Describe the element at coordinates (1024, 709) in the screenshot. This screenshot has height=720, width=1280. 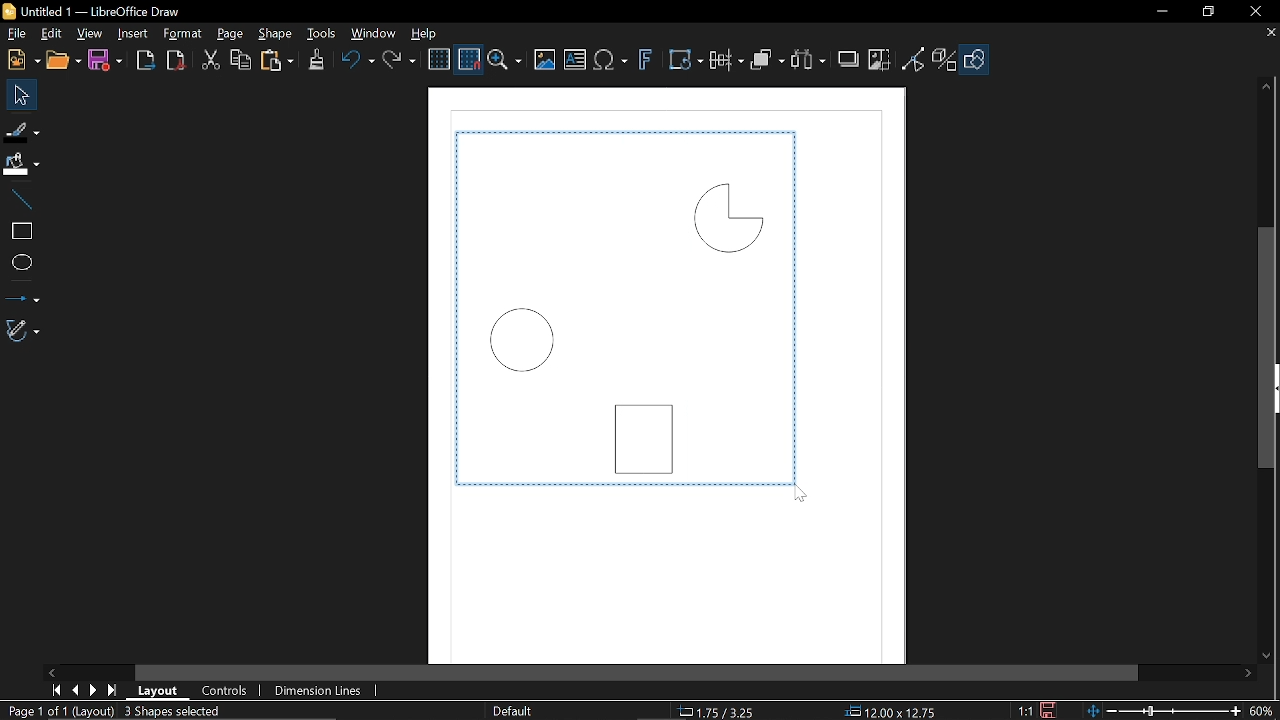
I see `1:1 (Scaling factor)` at that location.